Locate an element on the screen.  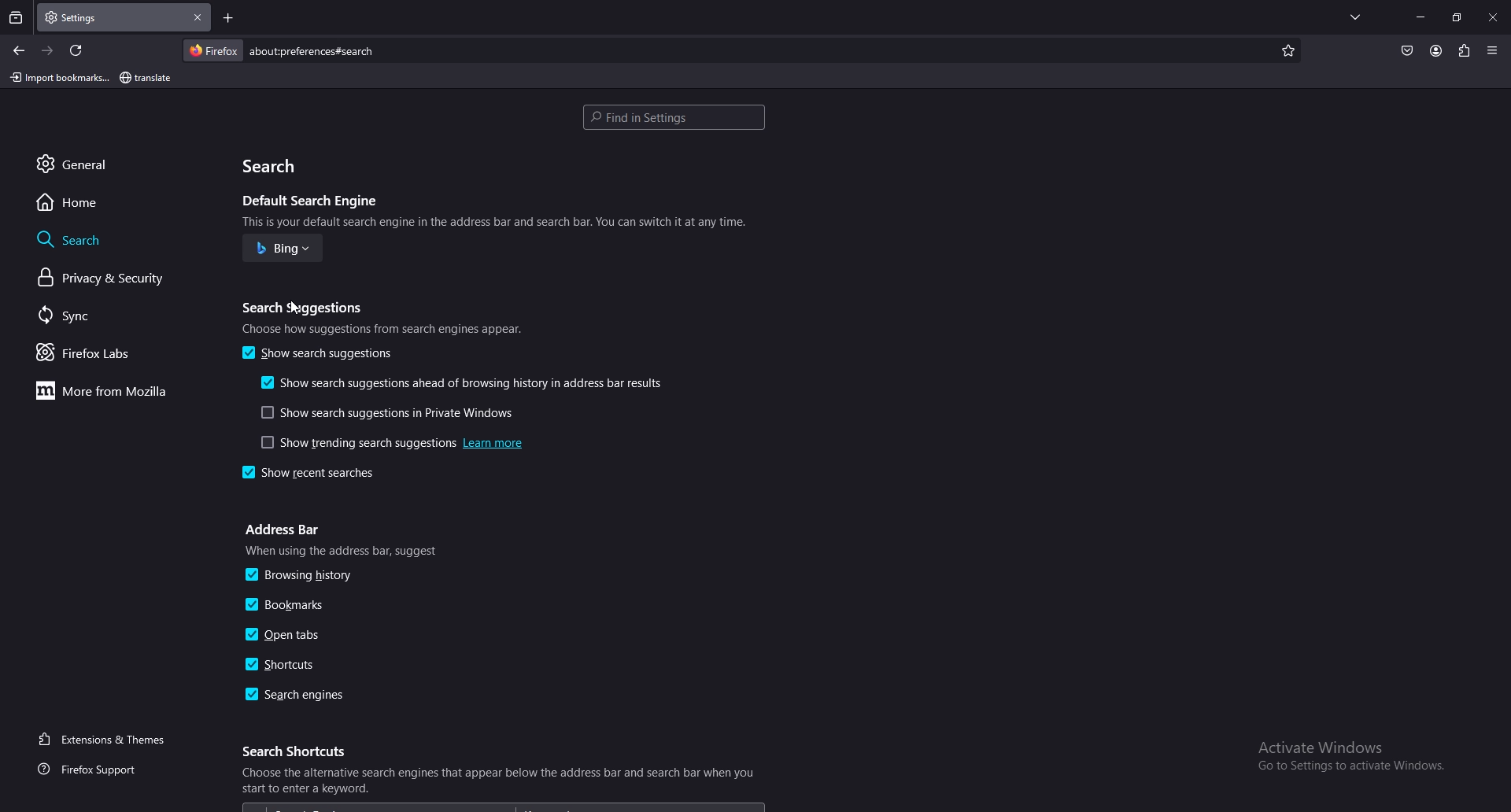
firefox support is located at coordinates (103, 769).